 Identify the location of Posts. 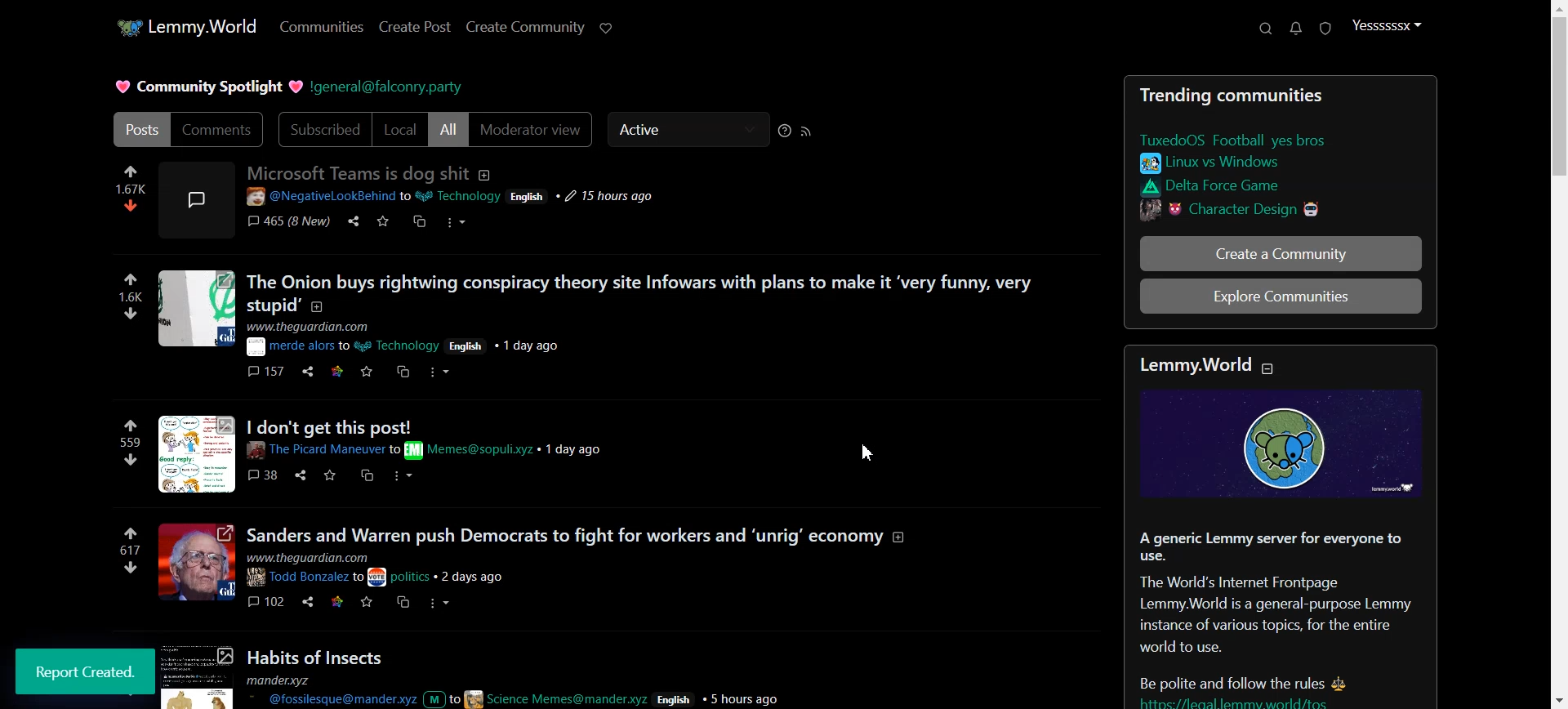
(675, 674).